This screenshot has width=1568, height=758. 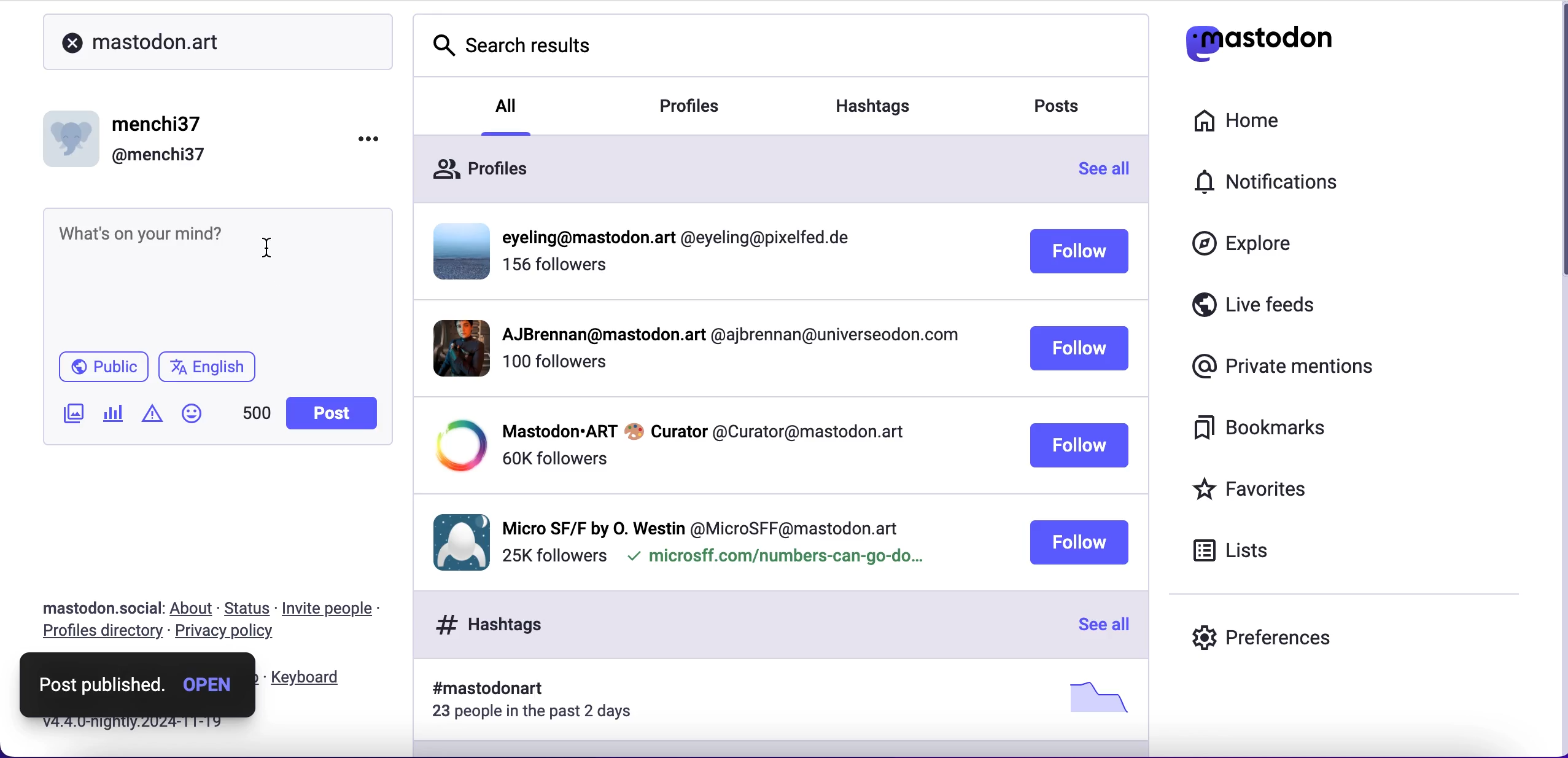 What do you see at coordinates (230, 634) in the screenshot?
I see `privacy policy` at bounding box center [230, 634].